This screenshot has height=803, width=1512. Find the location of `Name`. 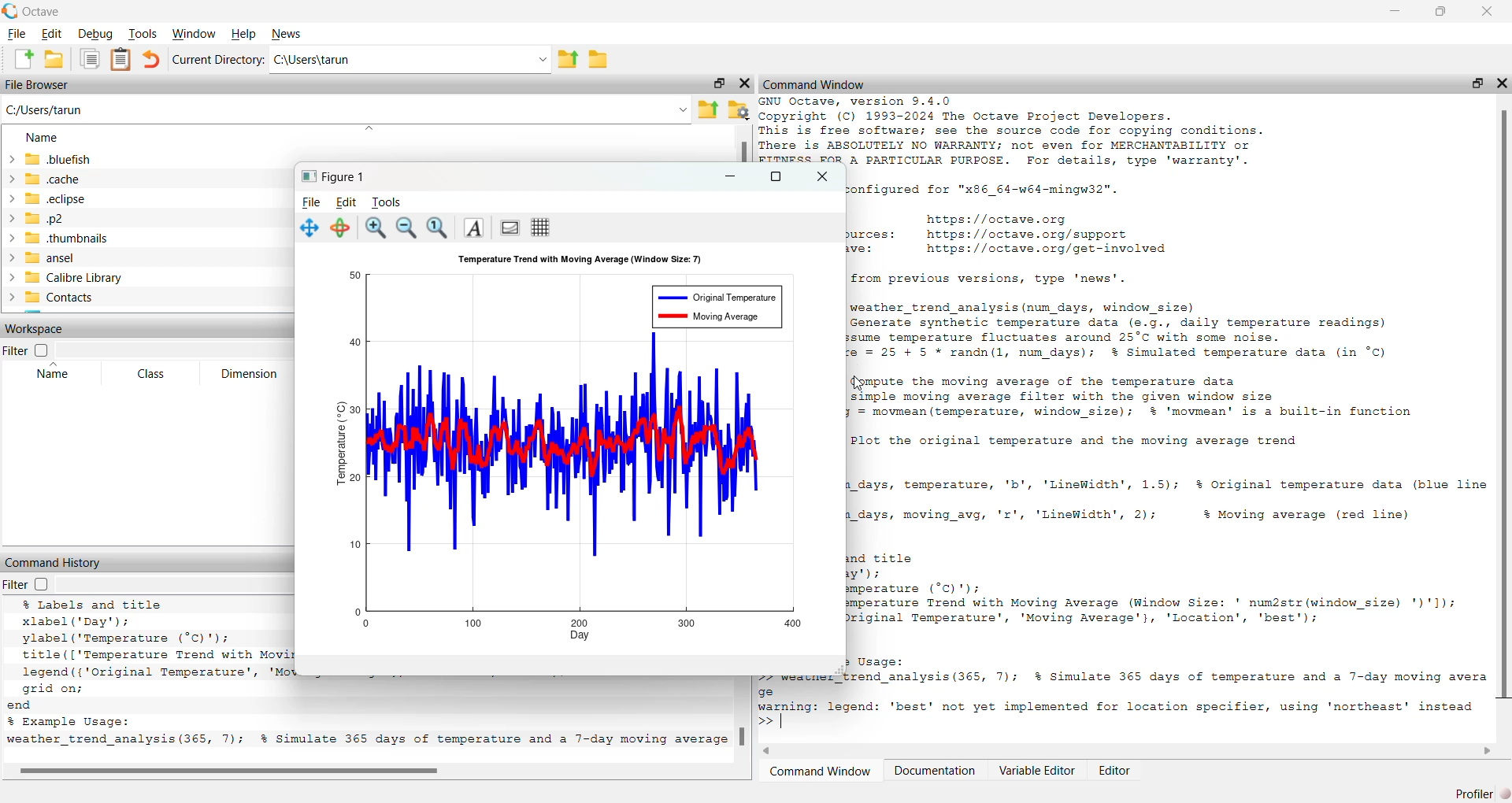

Name is located at coordinates (53, 371).